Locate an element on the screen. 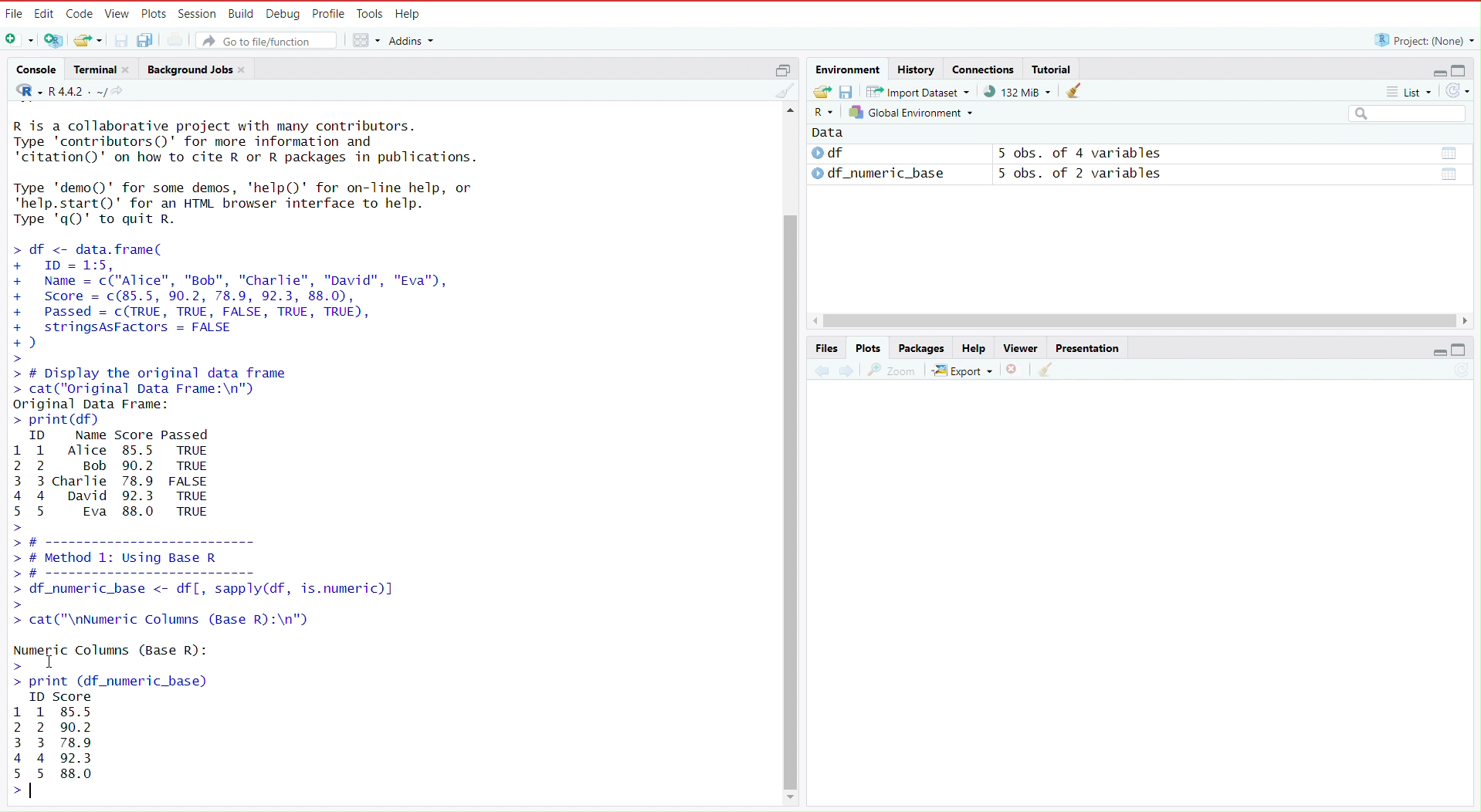 This screenshot has width=1481, height=812. save current document is located at coordinates (121, 41).